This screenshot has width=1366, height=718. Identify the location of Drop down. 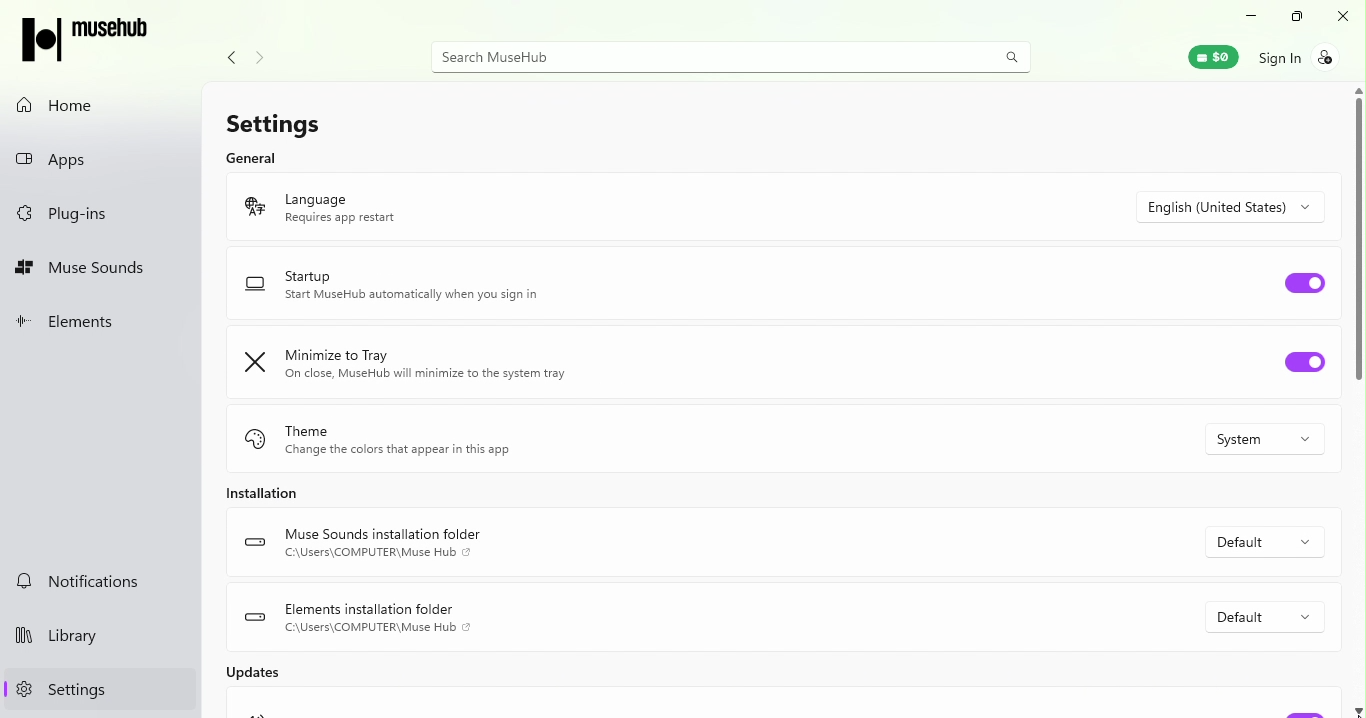
(1266, 612).